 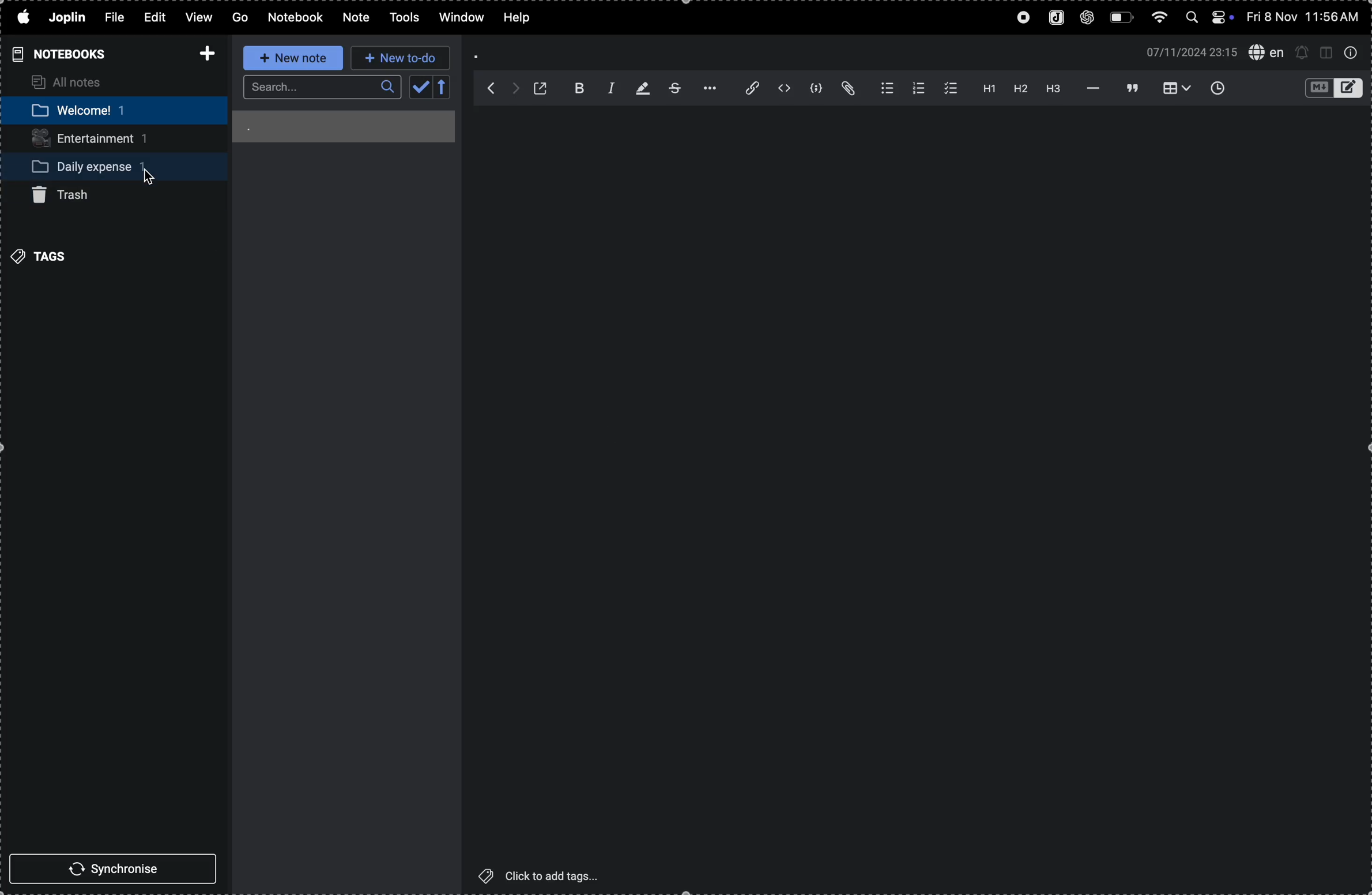 I want to click on search bar, so click(x=319, y=88).